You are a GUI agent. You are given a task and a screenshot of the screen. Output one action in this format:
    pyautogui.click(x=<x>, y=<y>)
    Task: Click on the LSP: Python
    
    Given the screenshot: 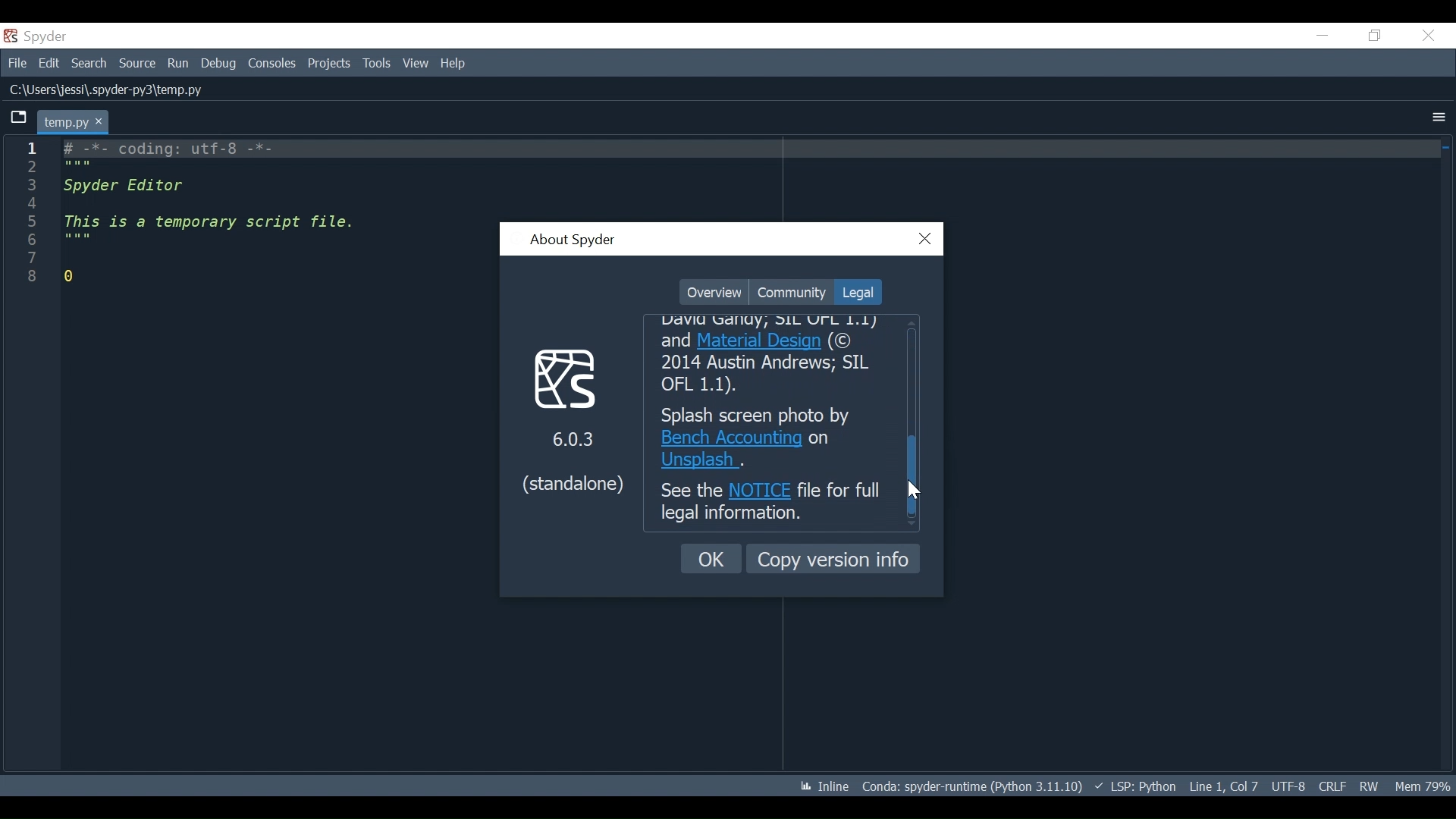 What is the action you would take?
    pyautogui.click(x=1135, y=787)
    